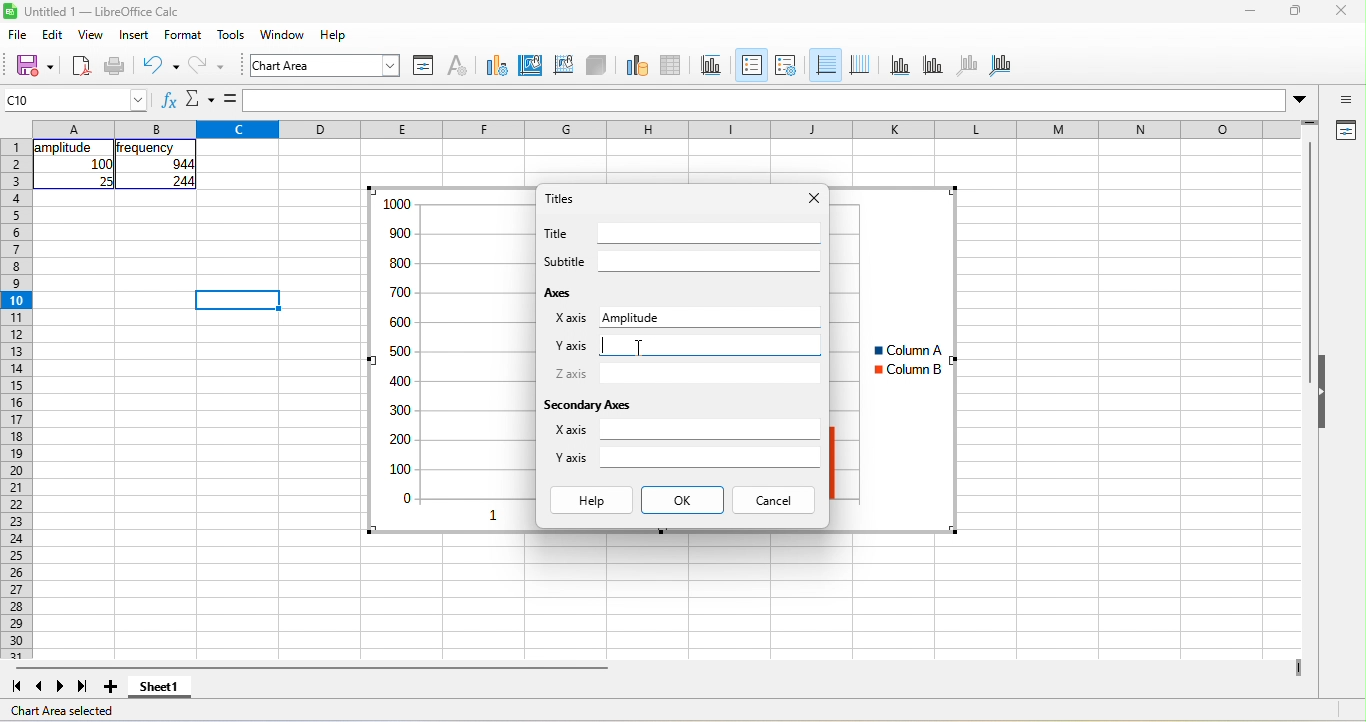 This screenshot has width=1366, height=722. What do you see at coordinates (710, 457) in the screenshot?
I see `Input for secondary y axis` at bounding box center [710, 457].